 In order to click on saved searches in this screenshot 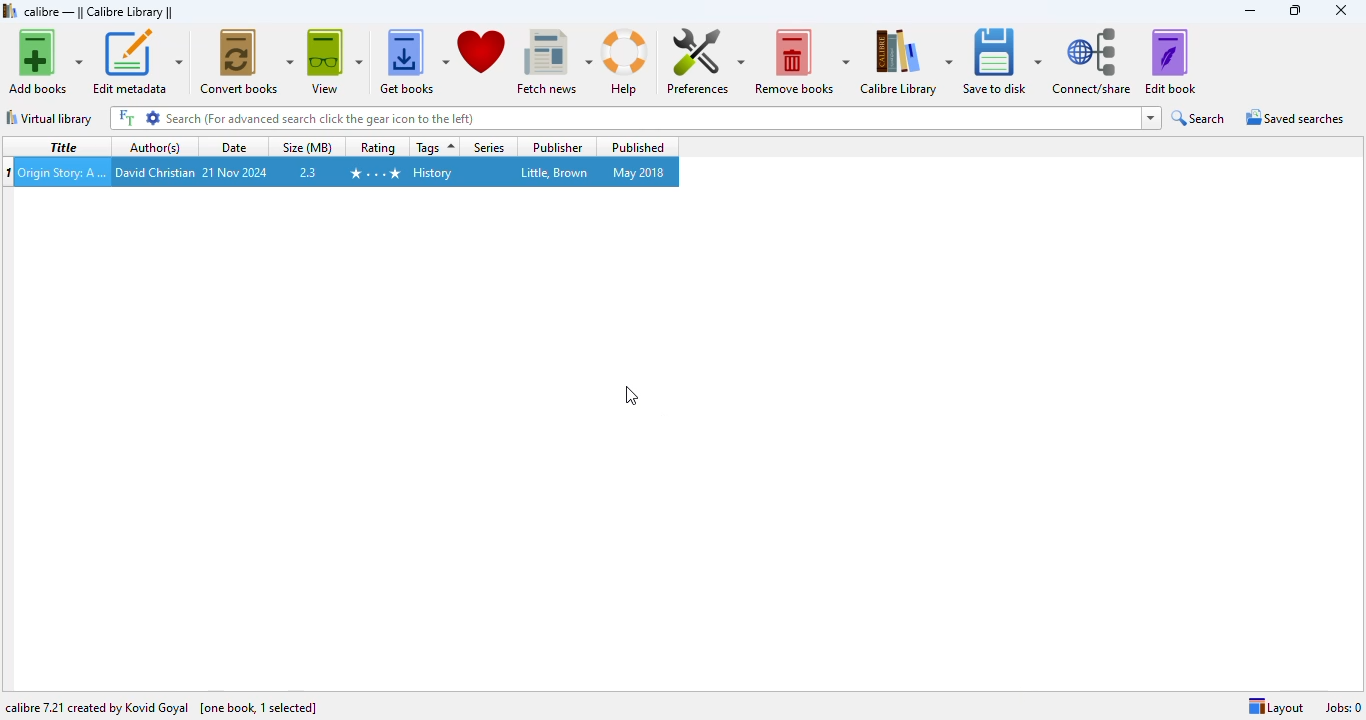, I will do `click(1296, 117)`.